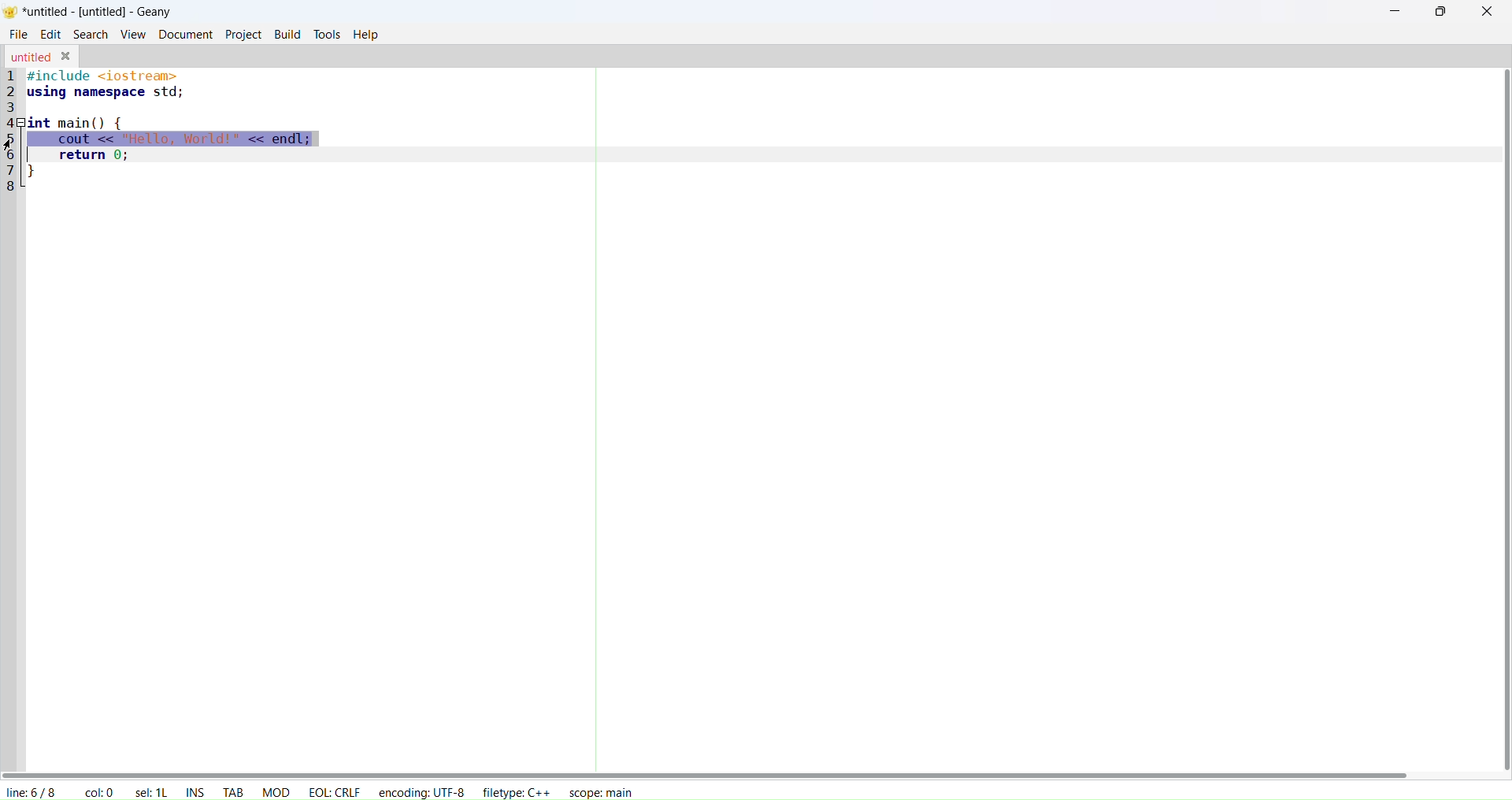 The width and height of the screenshot is (1512, 800). Describe the element at coordinates (327, 35) in the screenshot. I see `tools` at that location.